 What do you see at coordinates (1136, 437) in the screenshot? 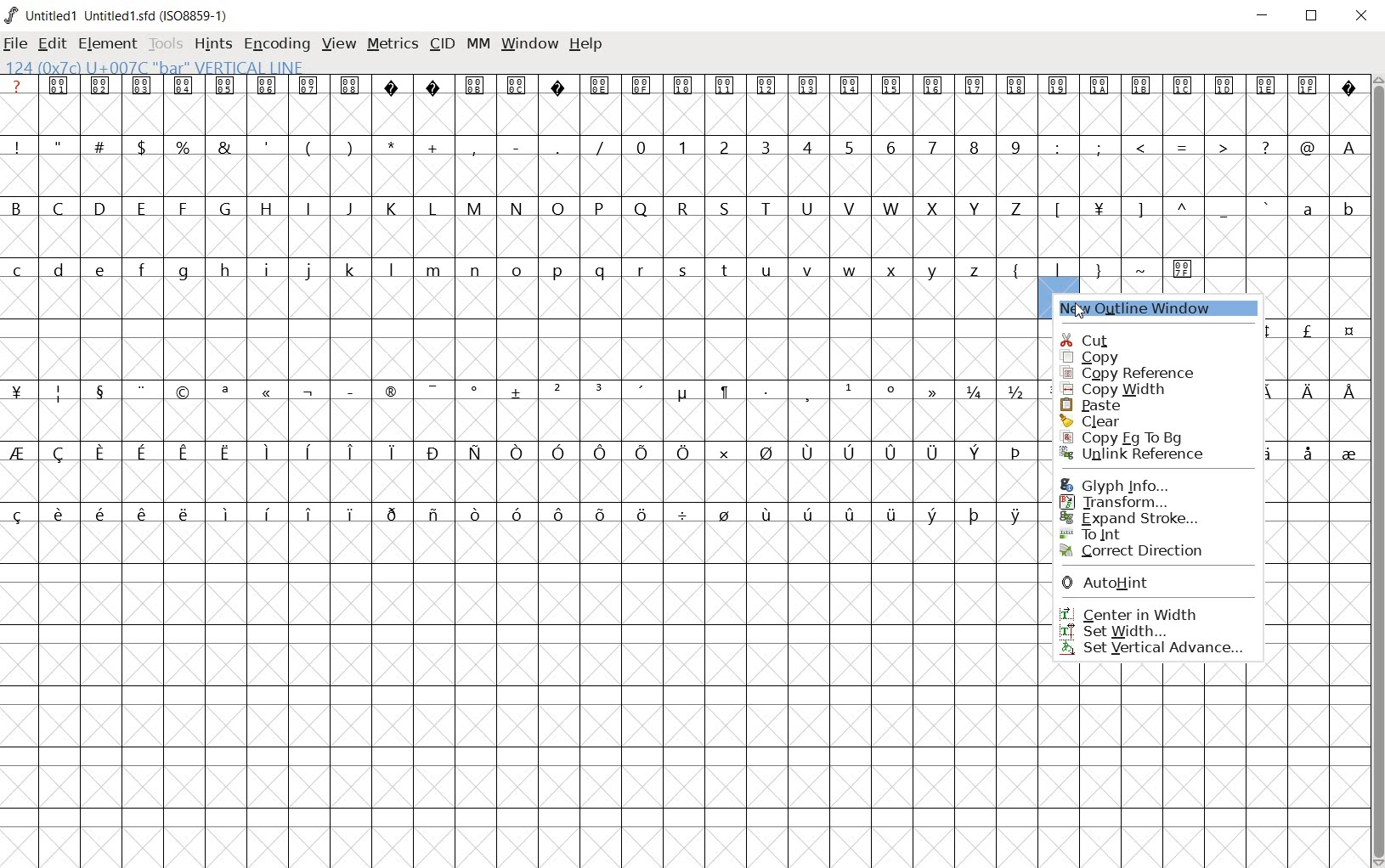
I see `Copy Fg to Bg` at bounding box center [1136, 437].